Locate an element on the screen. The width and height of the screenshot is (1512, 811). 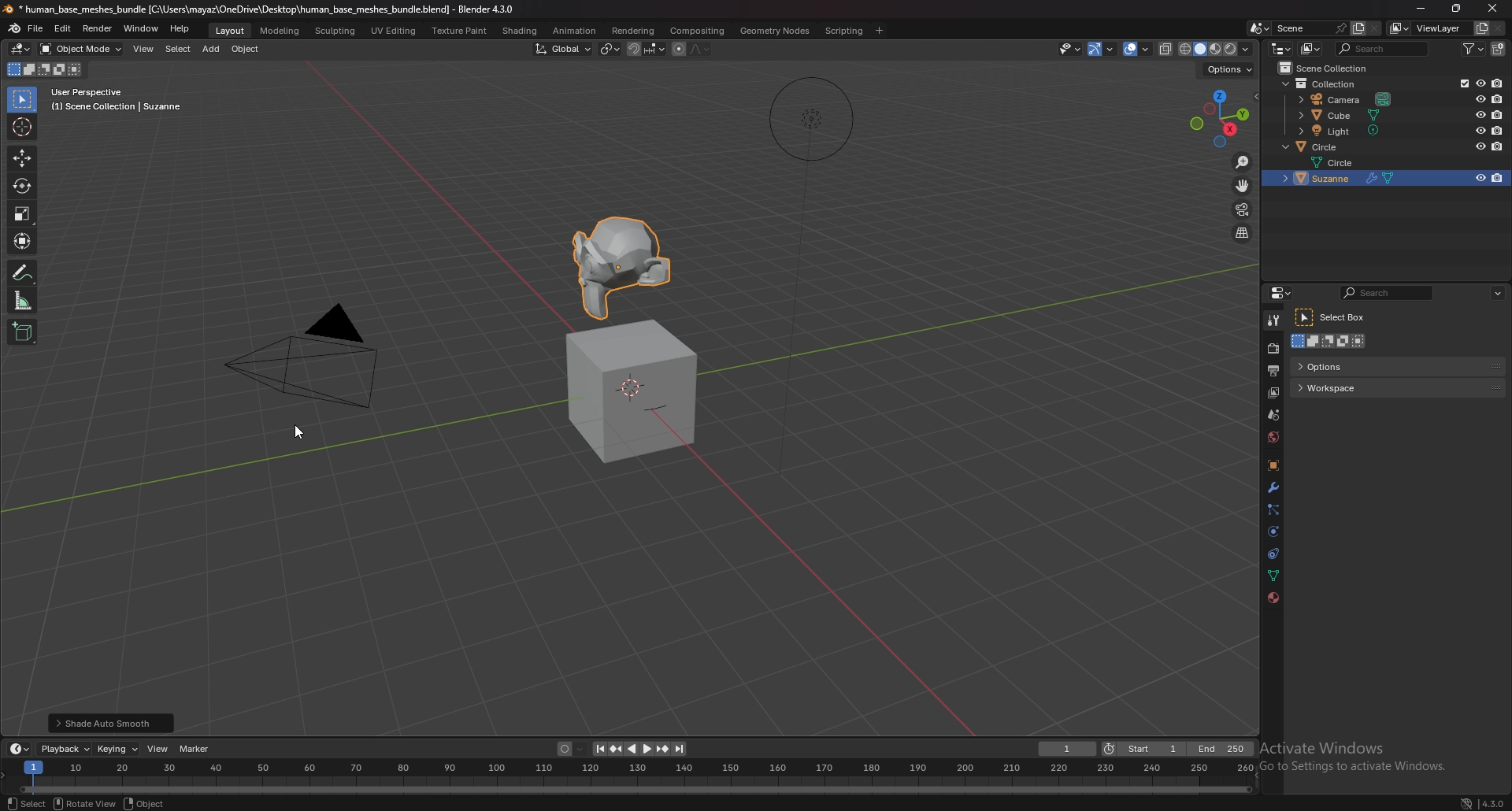
camera view is located at coordinates (1243, 209).